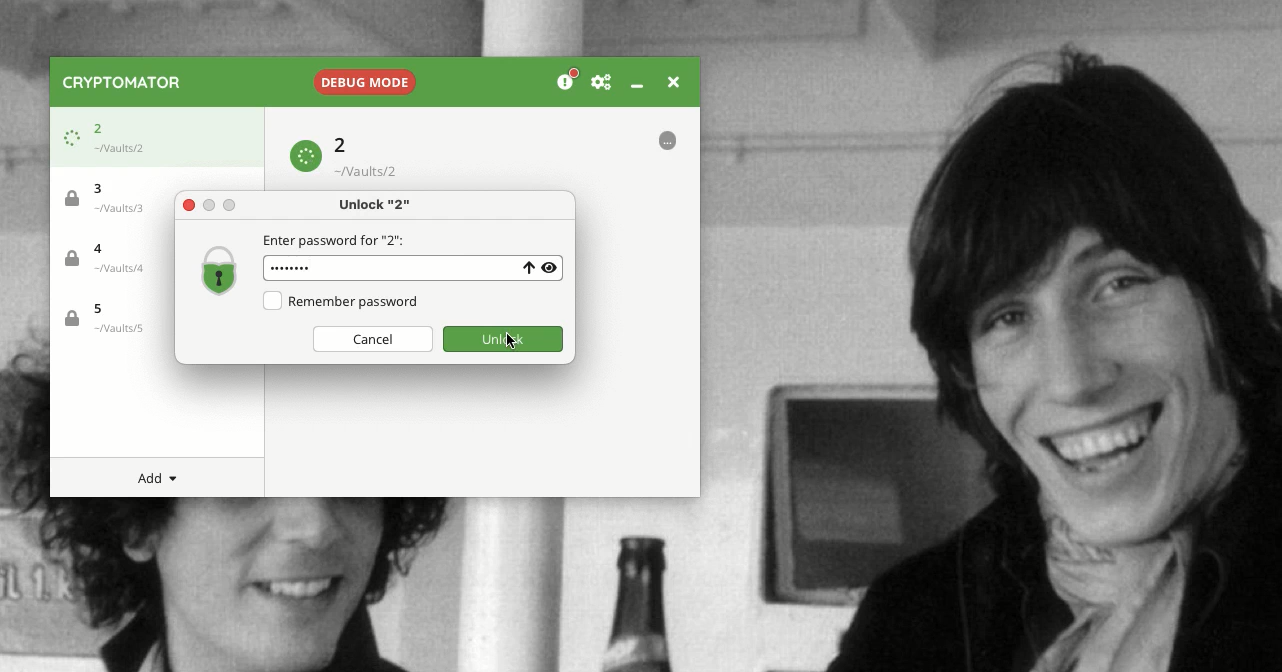 The height and width of the screenshot is (672, 1282). I want to click on Vault 4, so click(112, 261).